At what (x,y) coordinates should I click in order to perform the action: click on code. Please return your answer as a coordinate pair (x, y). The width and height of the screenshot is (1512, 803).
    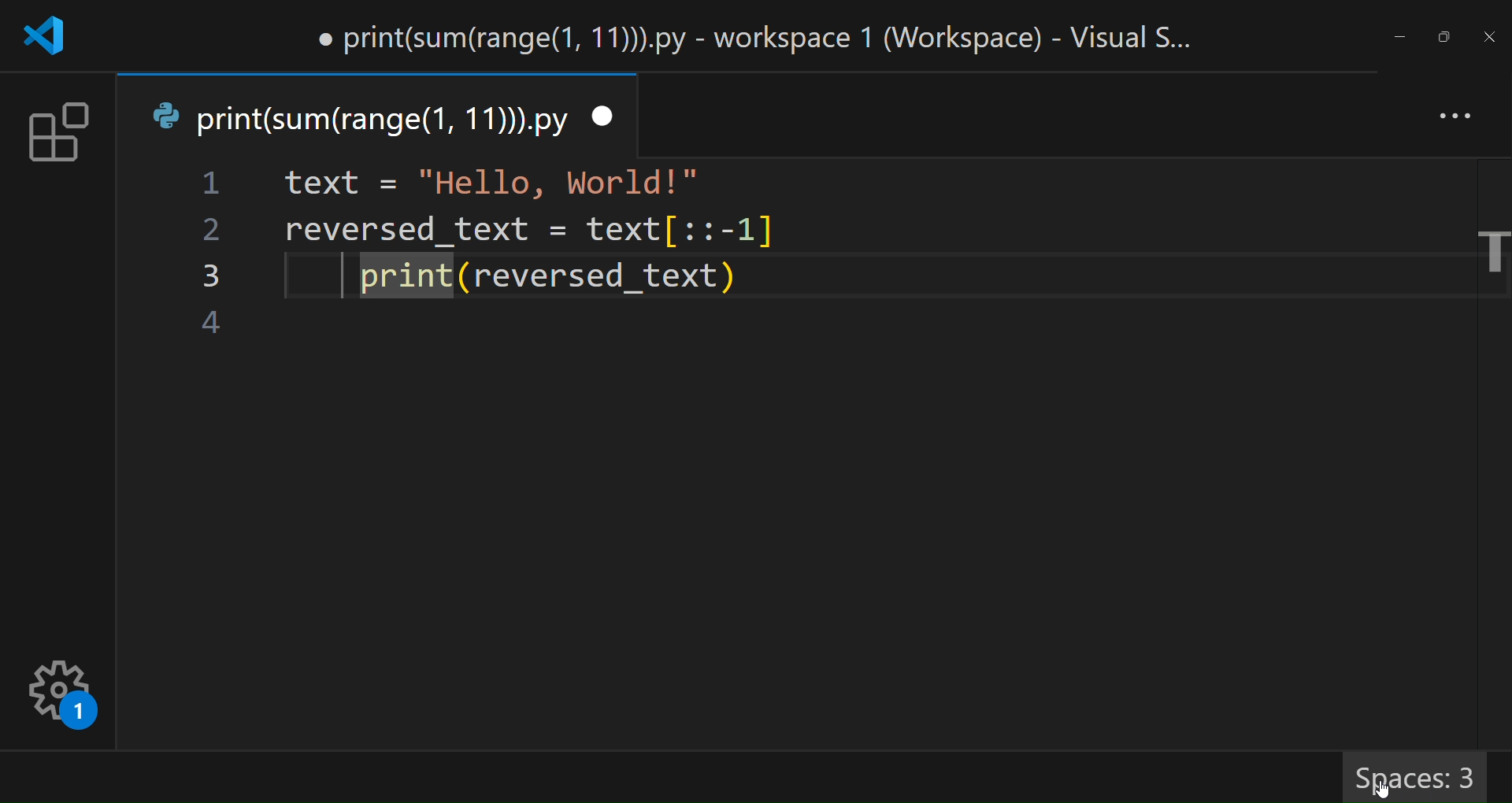
    Looking at the image, I should click on (555, 202).